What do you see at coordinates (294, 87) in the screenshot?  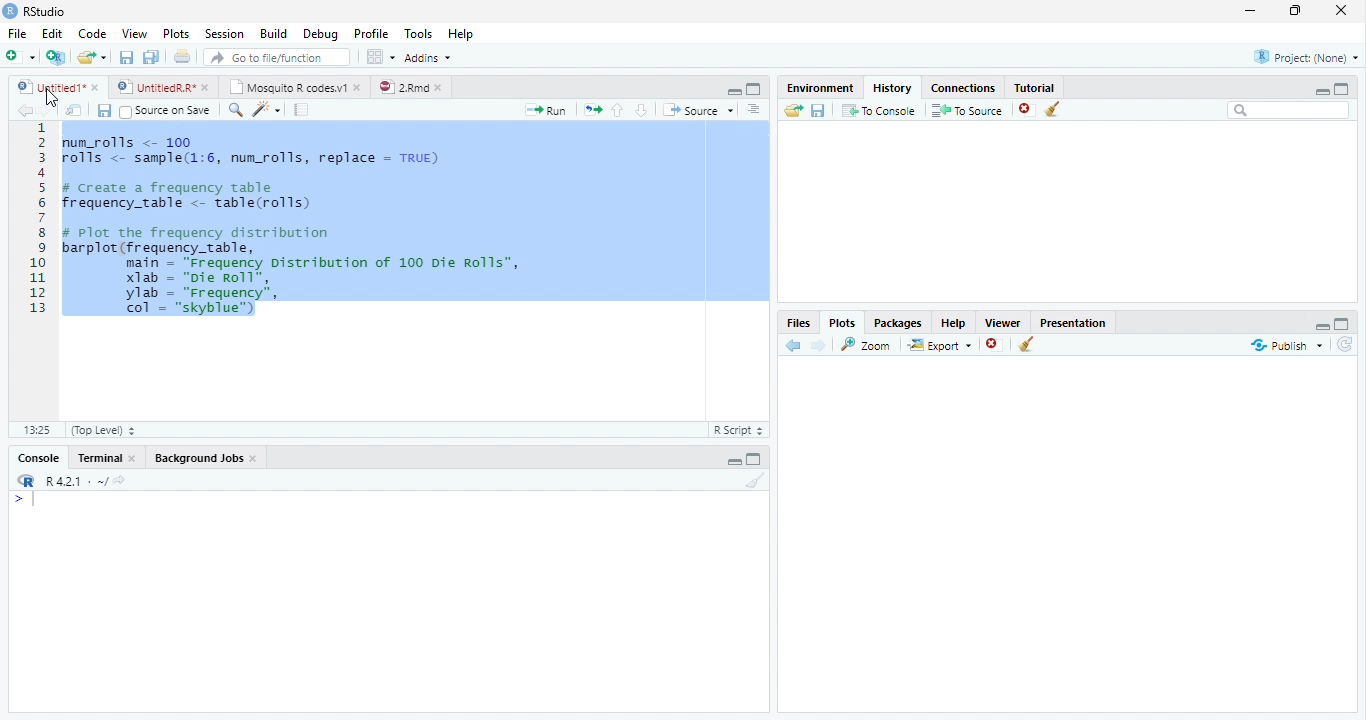 I see `| Mosquito R codesv1` at bounding box center [294, 87].